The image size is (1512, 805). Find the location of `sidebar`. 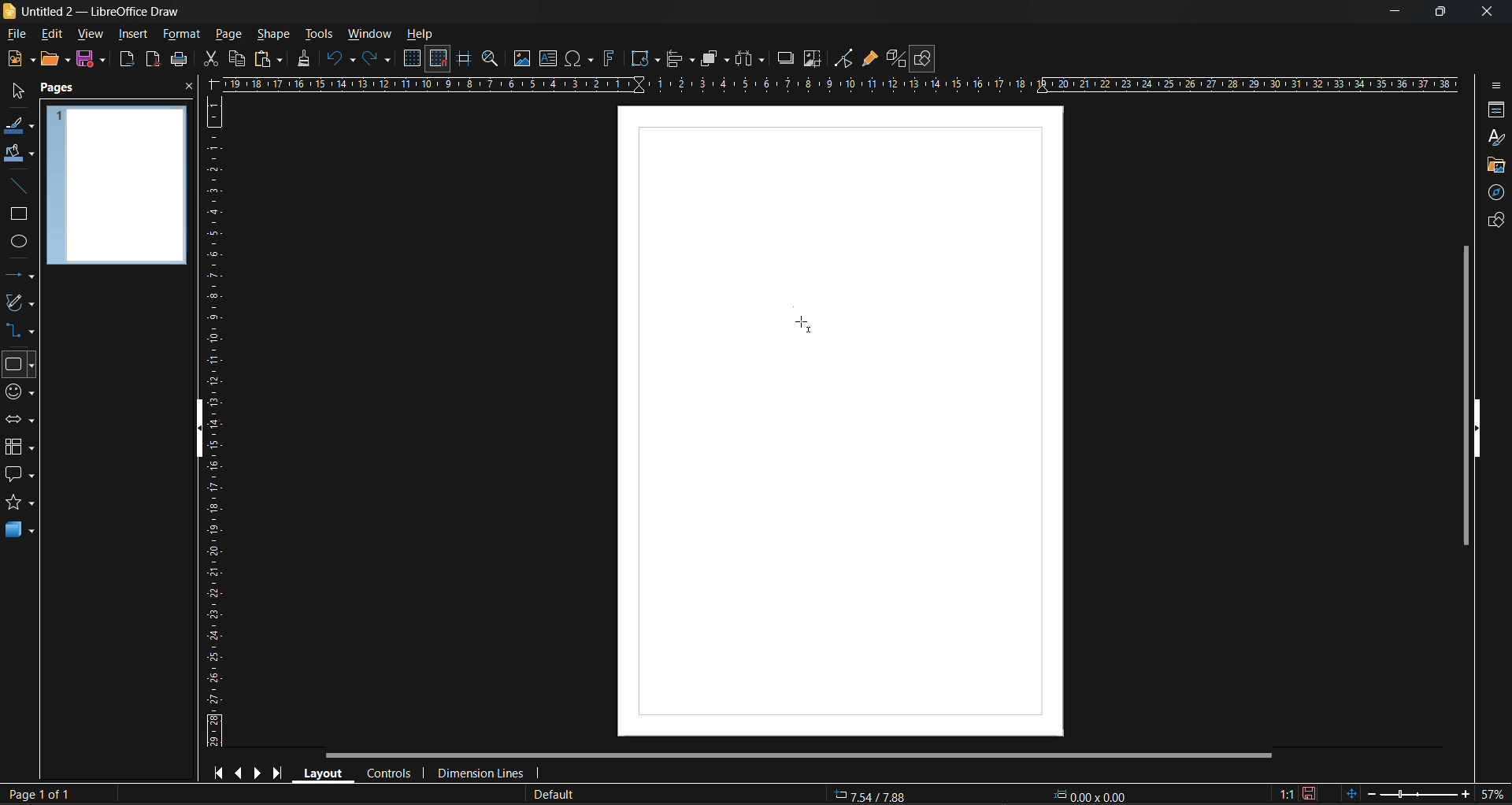

sidebar is located at coordinates (1494, 88).